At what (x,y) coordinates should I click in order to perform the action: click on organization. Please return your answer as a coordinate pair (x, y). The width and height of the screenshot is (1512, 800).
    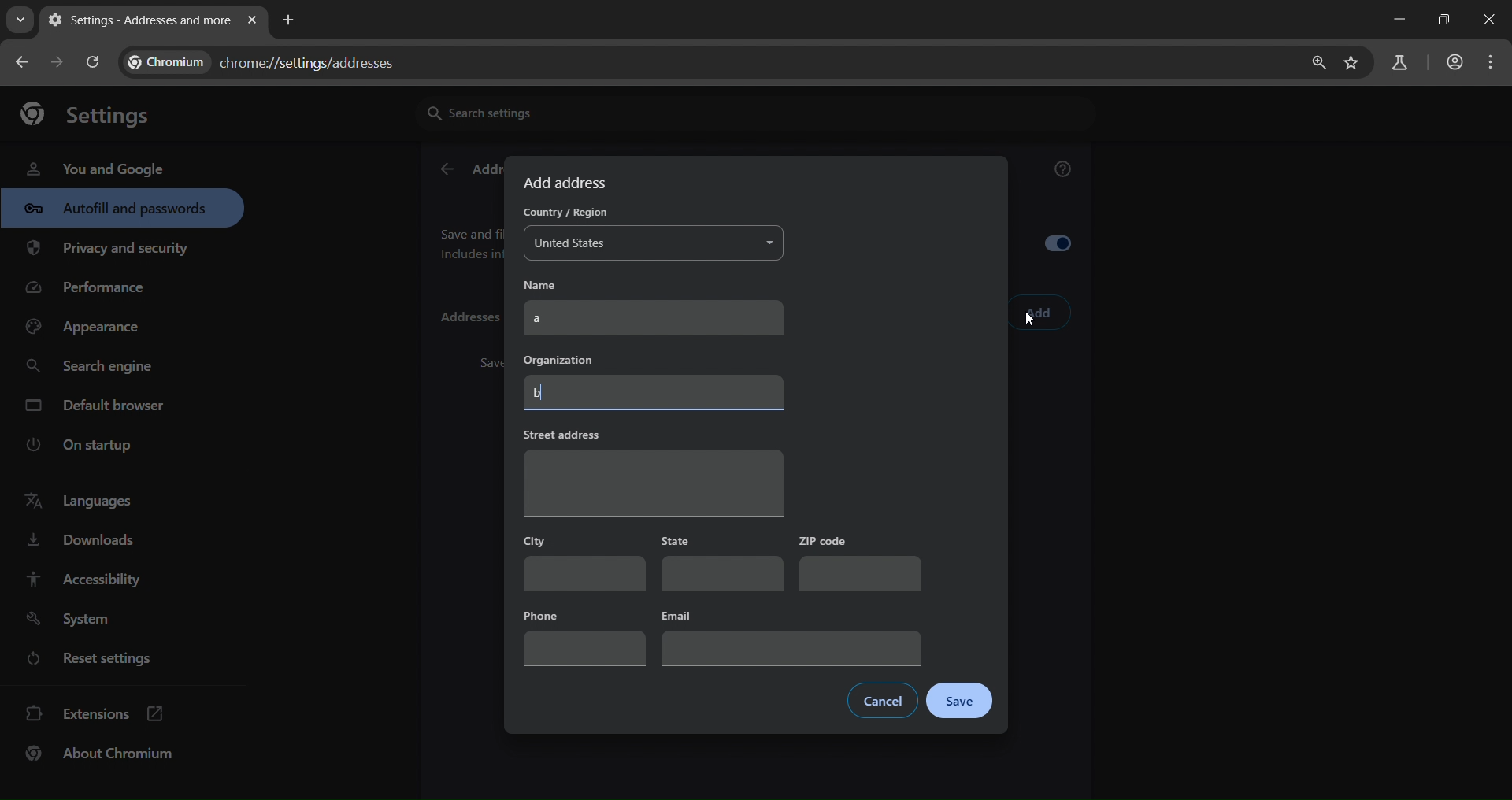
    Looking at the image, I should click on (655, 380).